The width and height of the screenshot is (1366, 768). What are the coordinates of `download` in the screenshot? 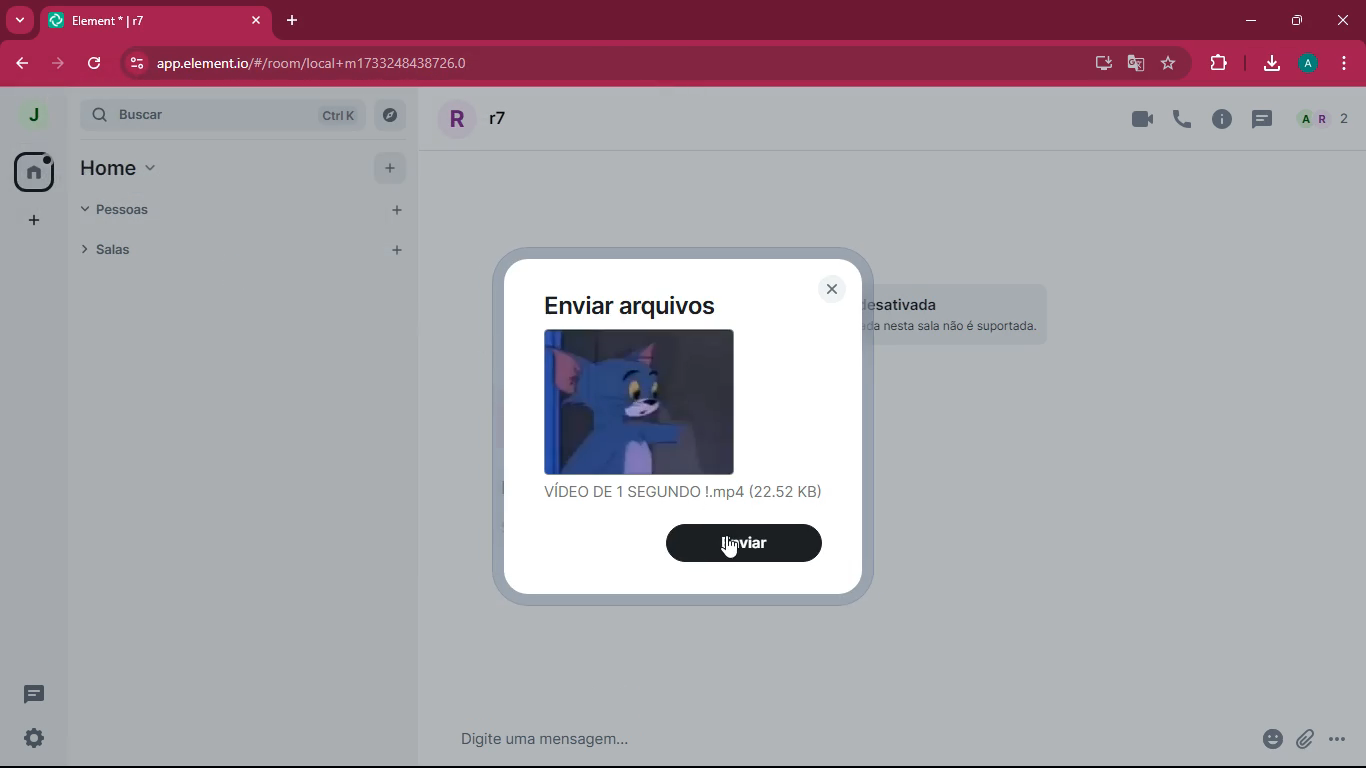 It's located at (1272, 65).